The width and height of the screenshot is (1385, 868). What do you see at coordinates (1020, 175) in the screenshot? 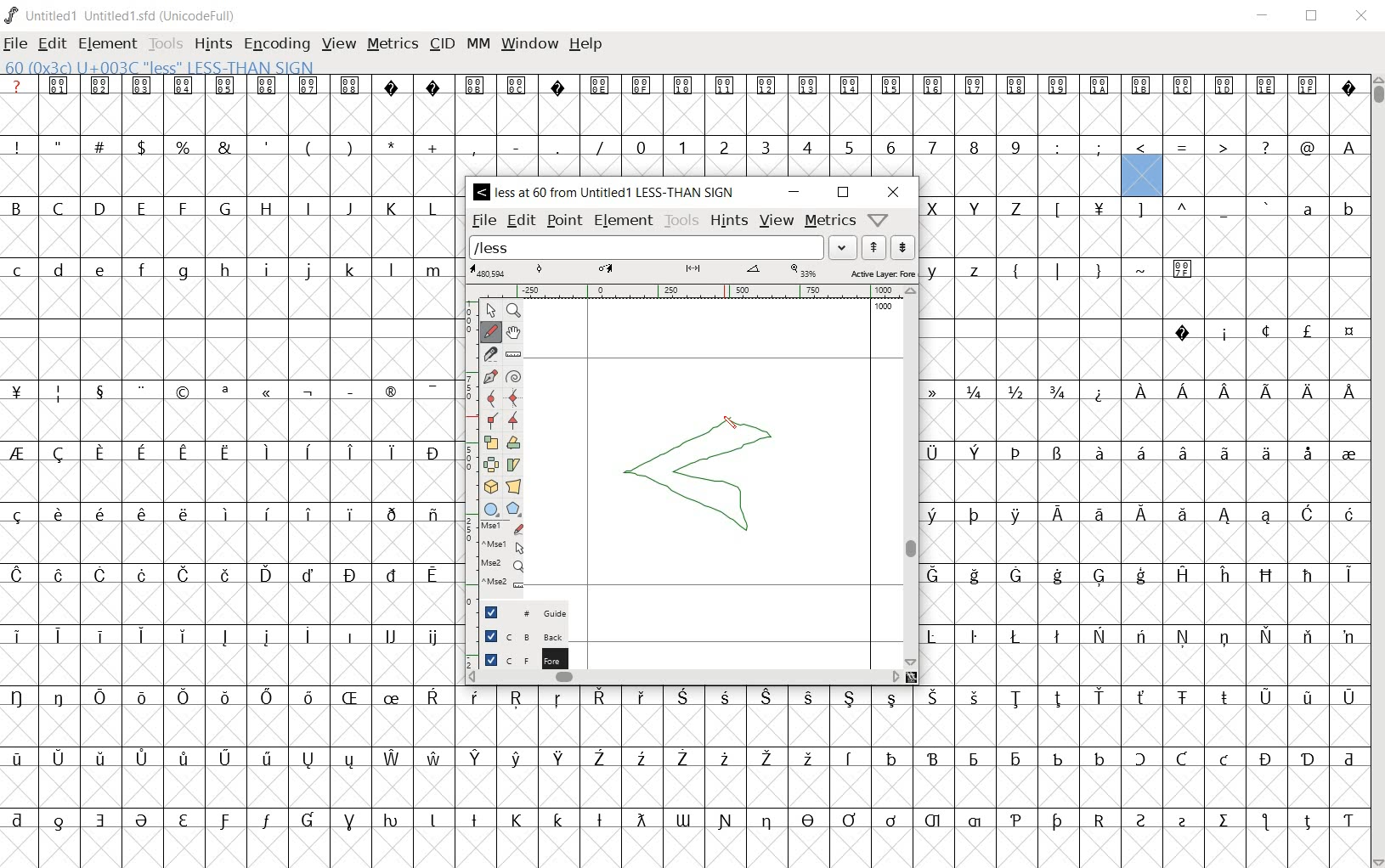
I see `empty cells` at bounding box center [1020, 175].